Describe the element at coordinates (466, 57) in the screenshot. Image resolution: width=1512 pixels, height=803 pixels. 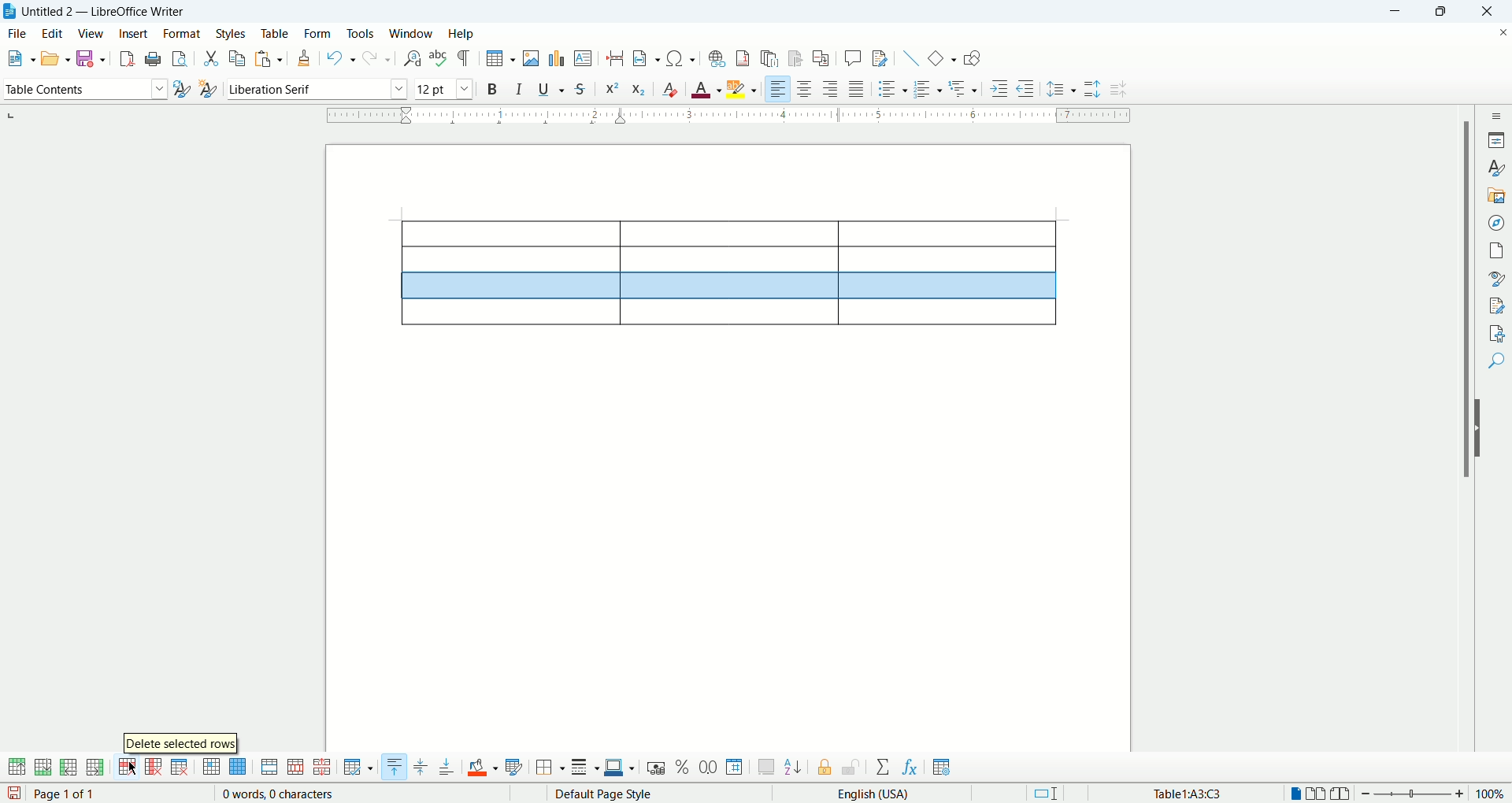
I see `formatting mark` at that location.